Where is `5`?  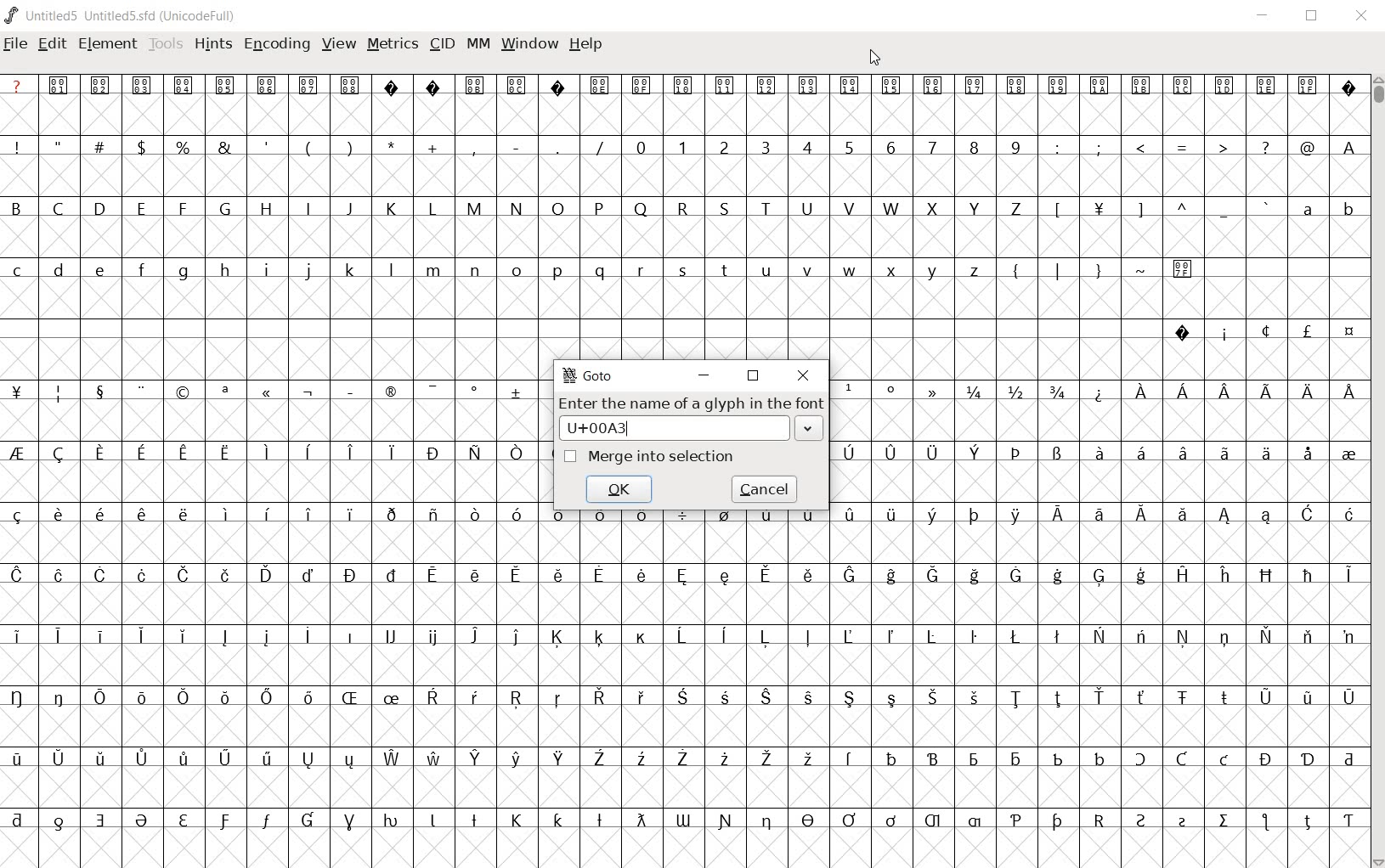 5 is located at coordinates (848, 147).